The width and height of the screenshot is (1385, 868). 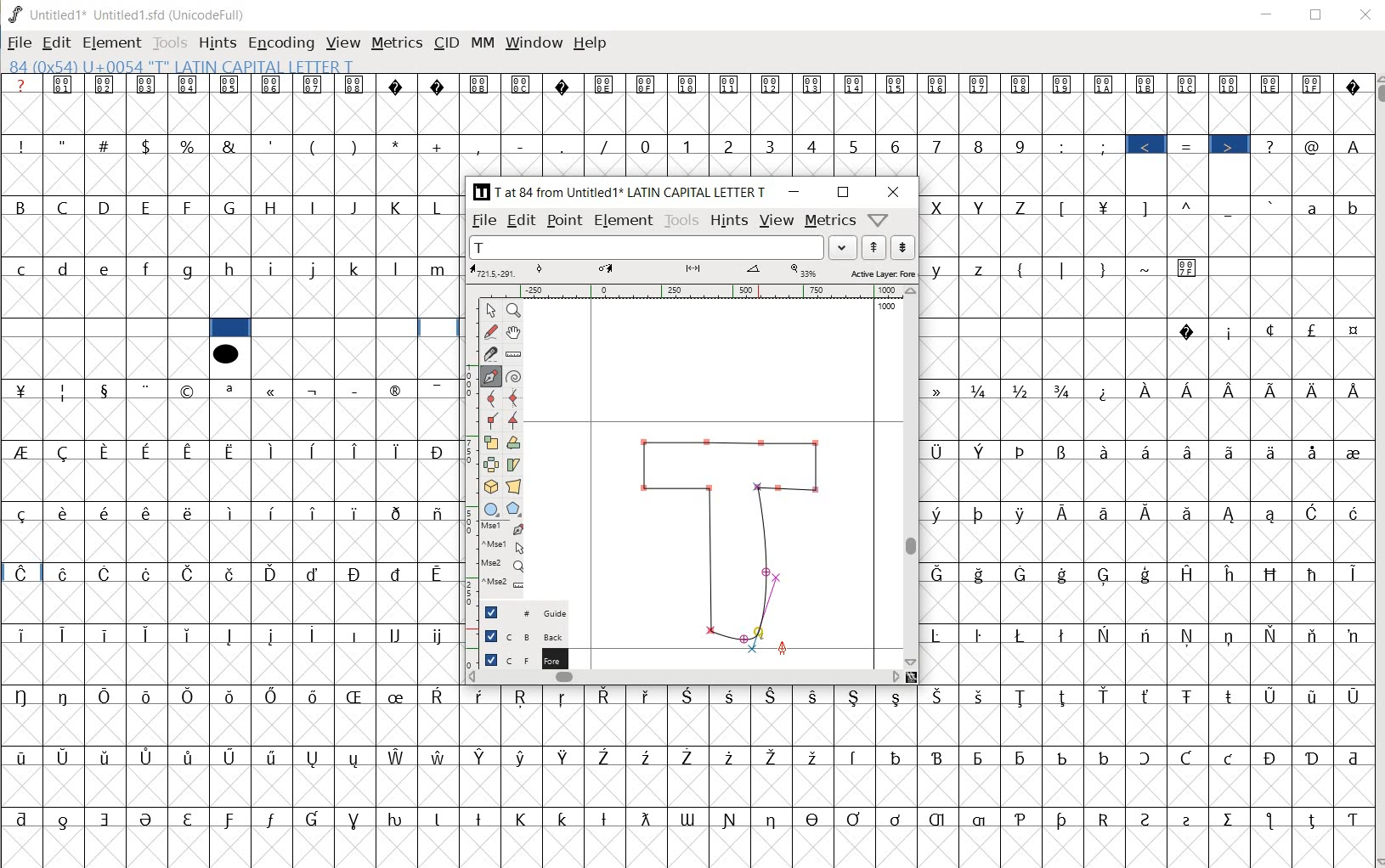 What do you see at coordinates (941, 454) in the screenshot?
I see `Symbol` at bounding box center [941, 454].